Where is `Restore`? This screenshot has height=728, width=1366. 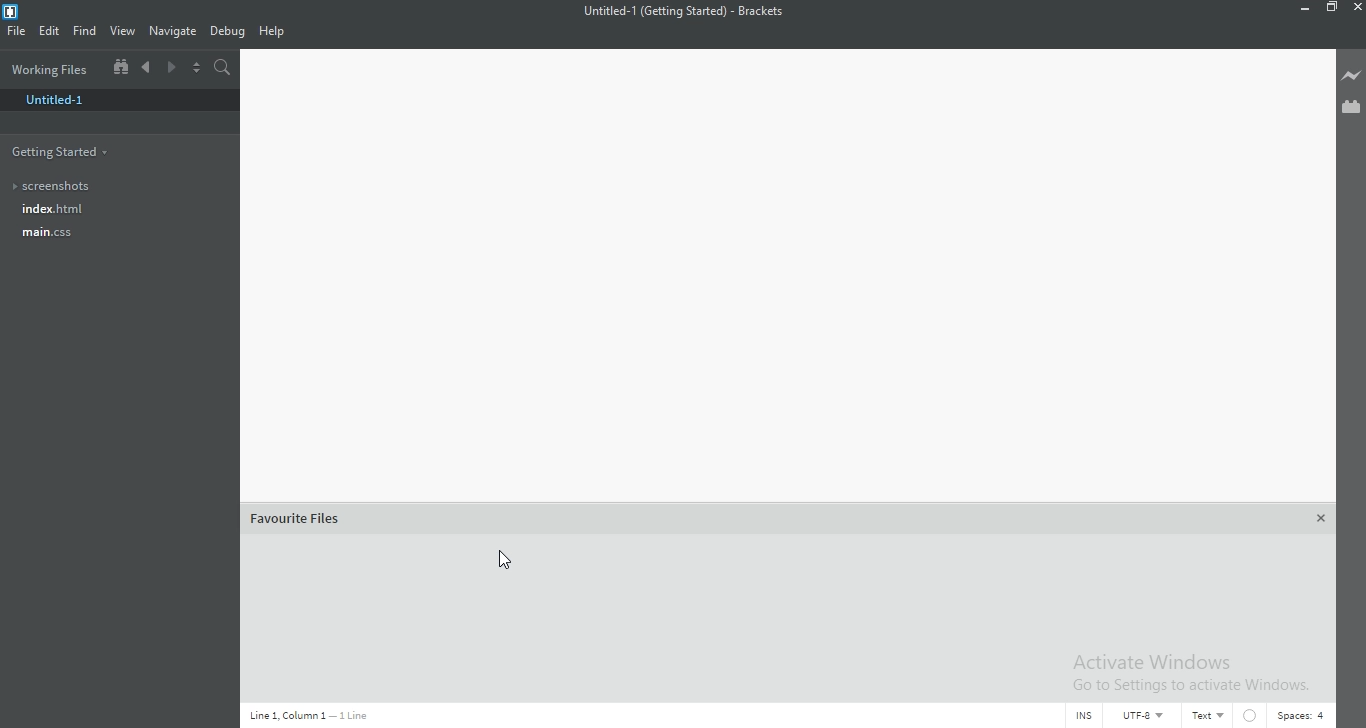 Restore is located at coordinates (1335, 10).